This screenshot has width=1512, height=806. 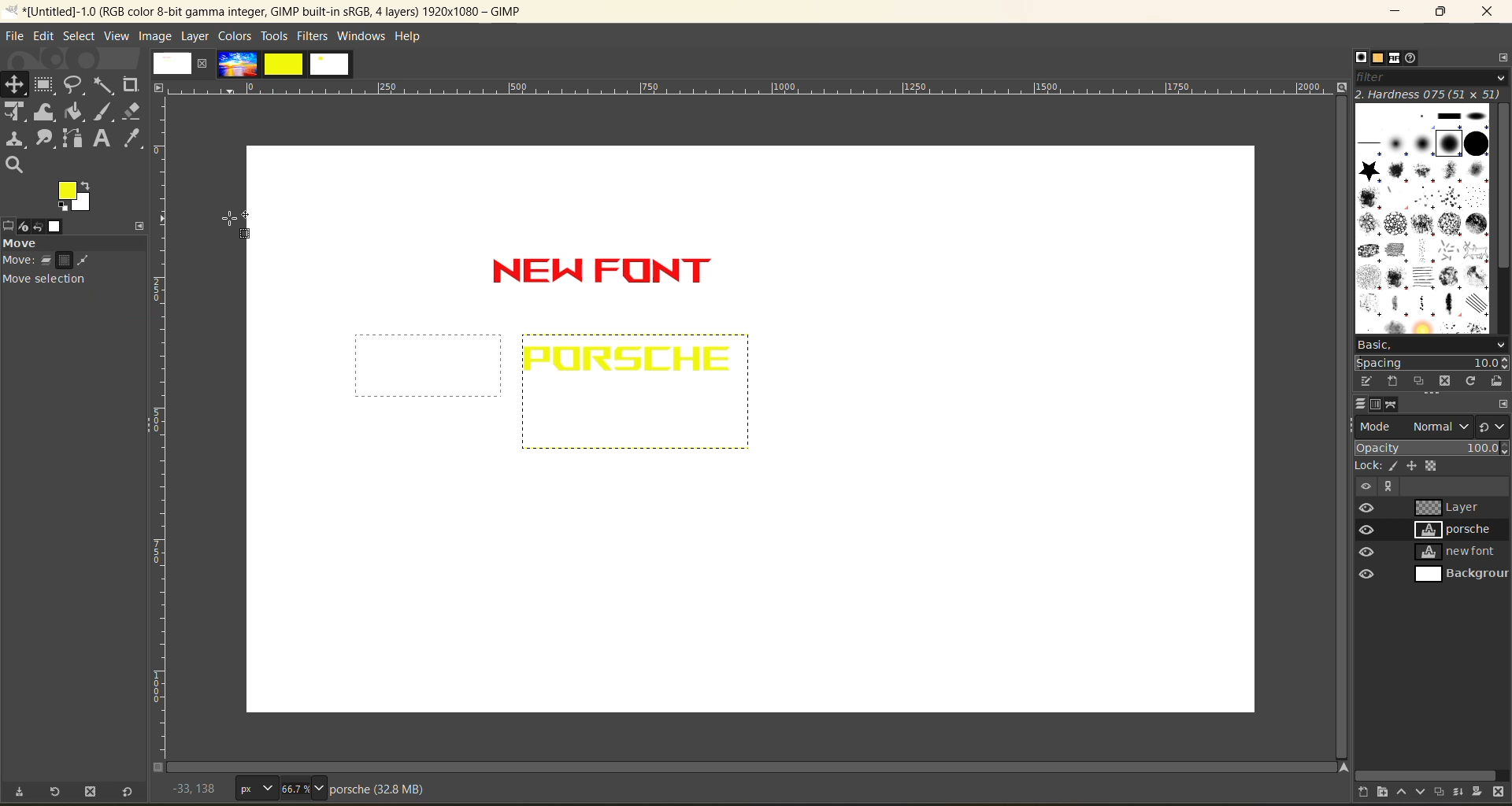 I want to click on mode, so click(x=1412, y=427).